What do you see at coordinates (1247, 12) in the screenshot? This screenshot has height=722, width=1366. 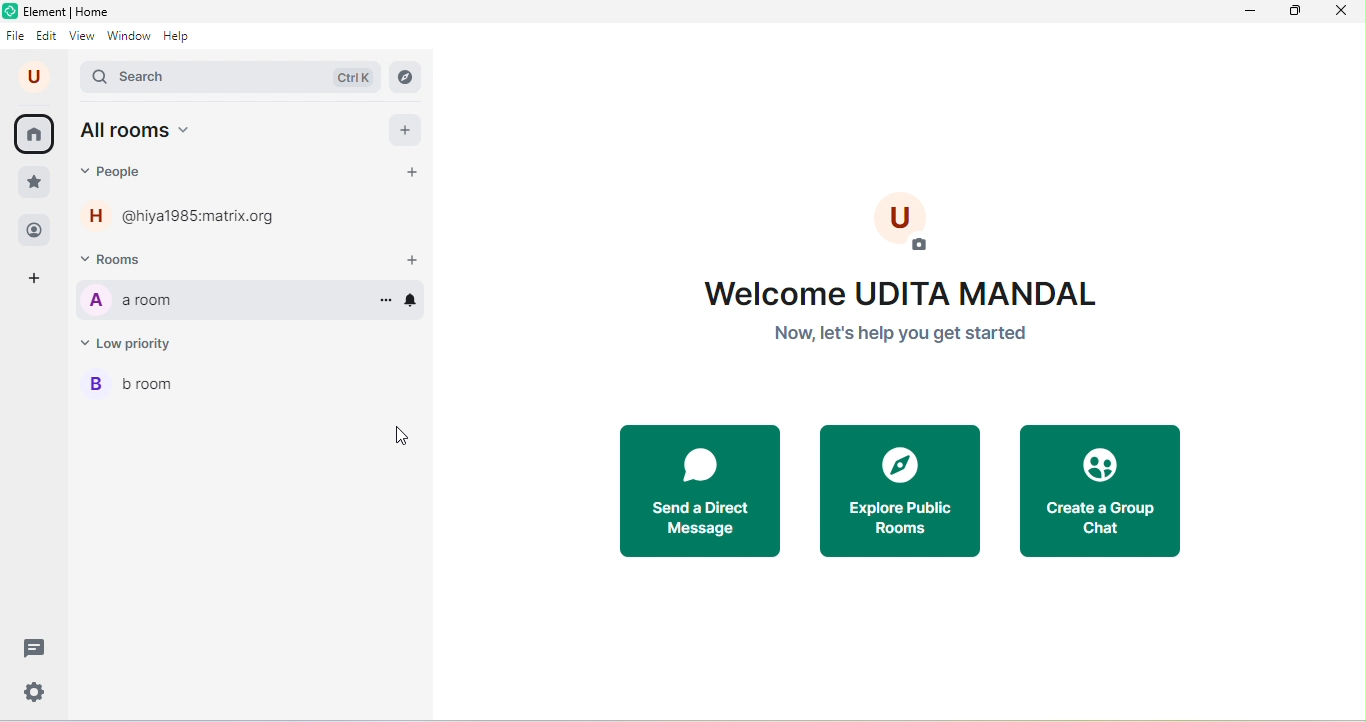 I see `minimize` at bounding box center [1247, 12].